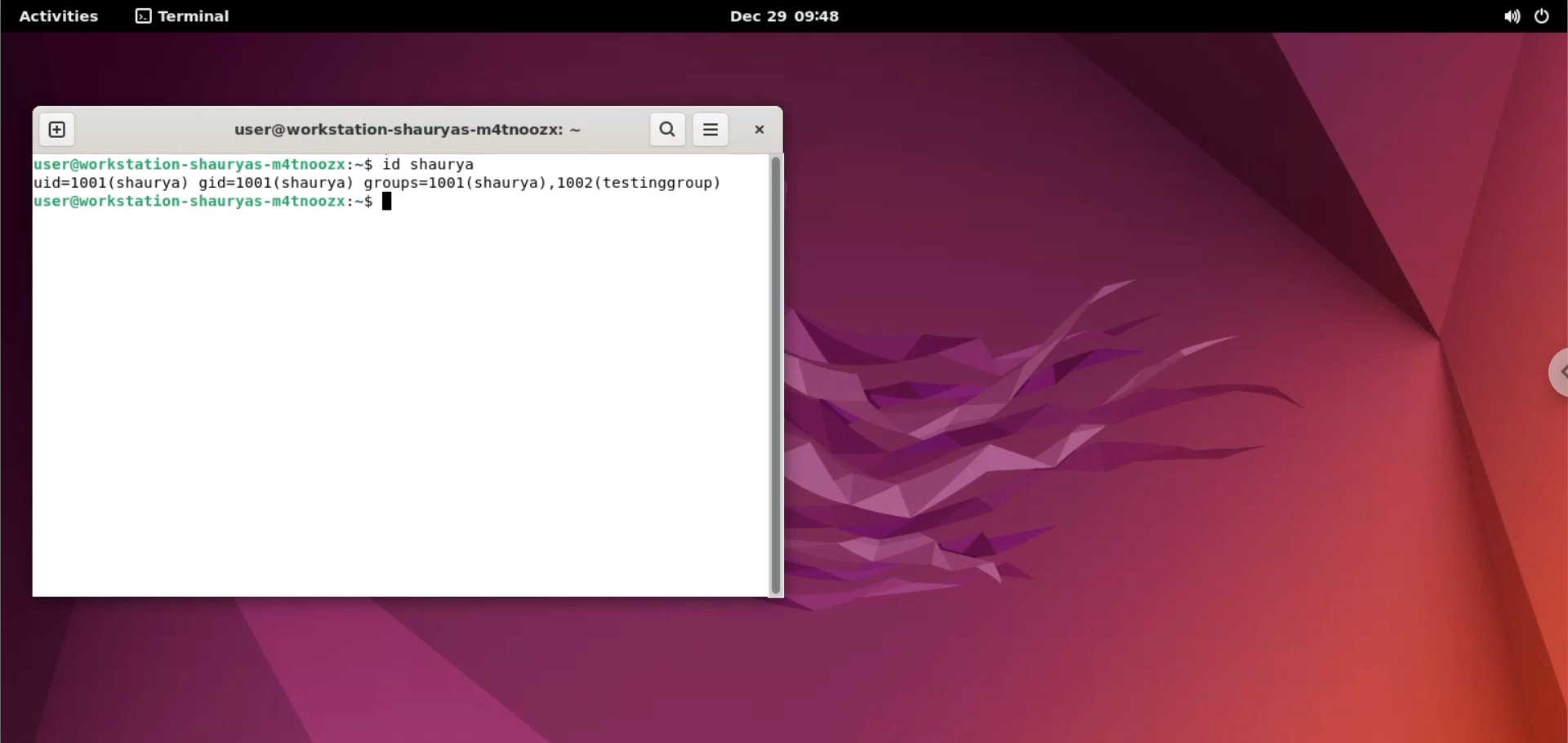 Image resolution: width=1568 pixels, height=743 pixels. I want to click on close, so click(758, 129).